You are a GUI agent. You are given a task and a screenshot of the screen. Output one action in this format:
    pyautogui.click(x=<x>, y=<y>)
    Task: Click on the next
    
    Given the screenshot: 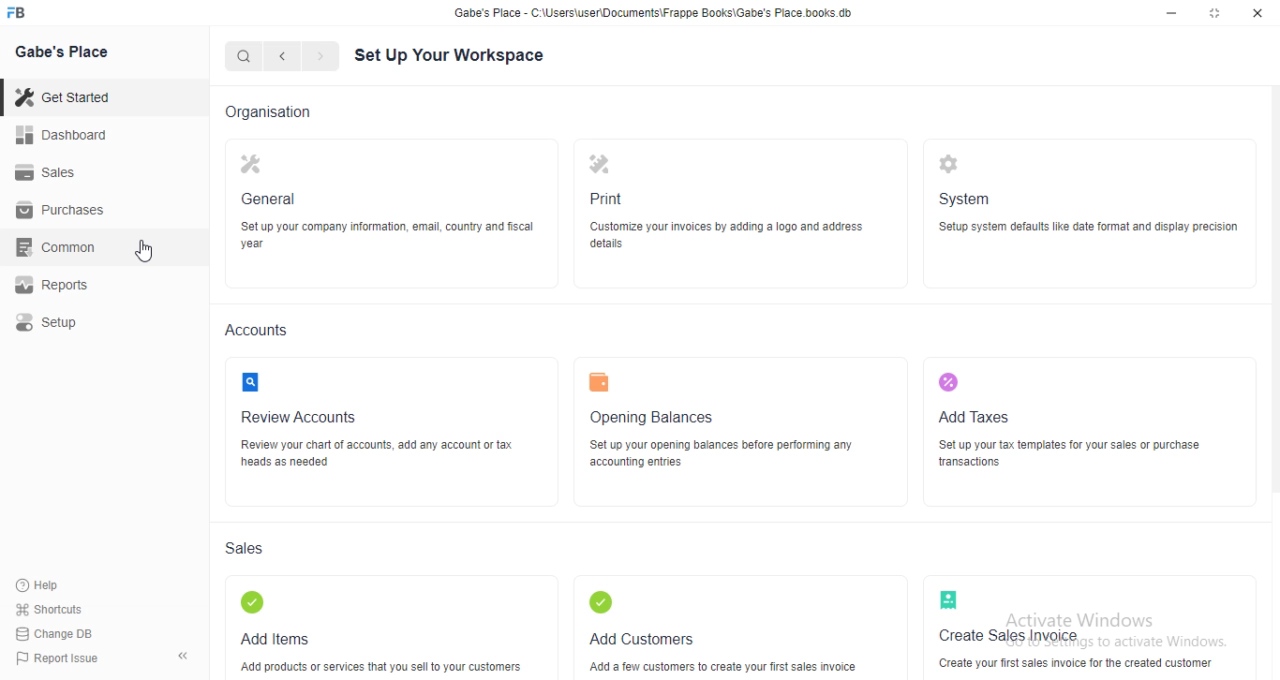 What is the action you would take?
    pyautogui.click(x=318, y=57)
    